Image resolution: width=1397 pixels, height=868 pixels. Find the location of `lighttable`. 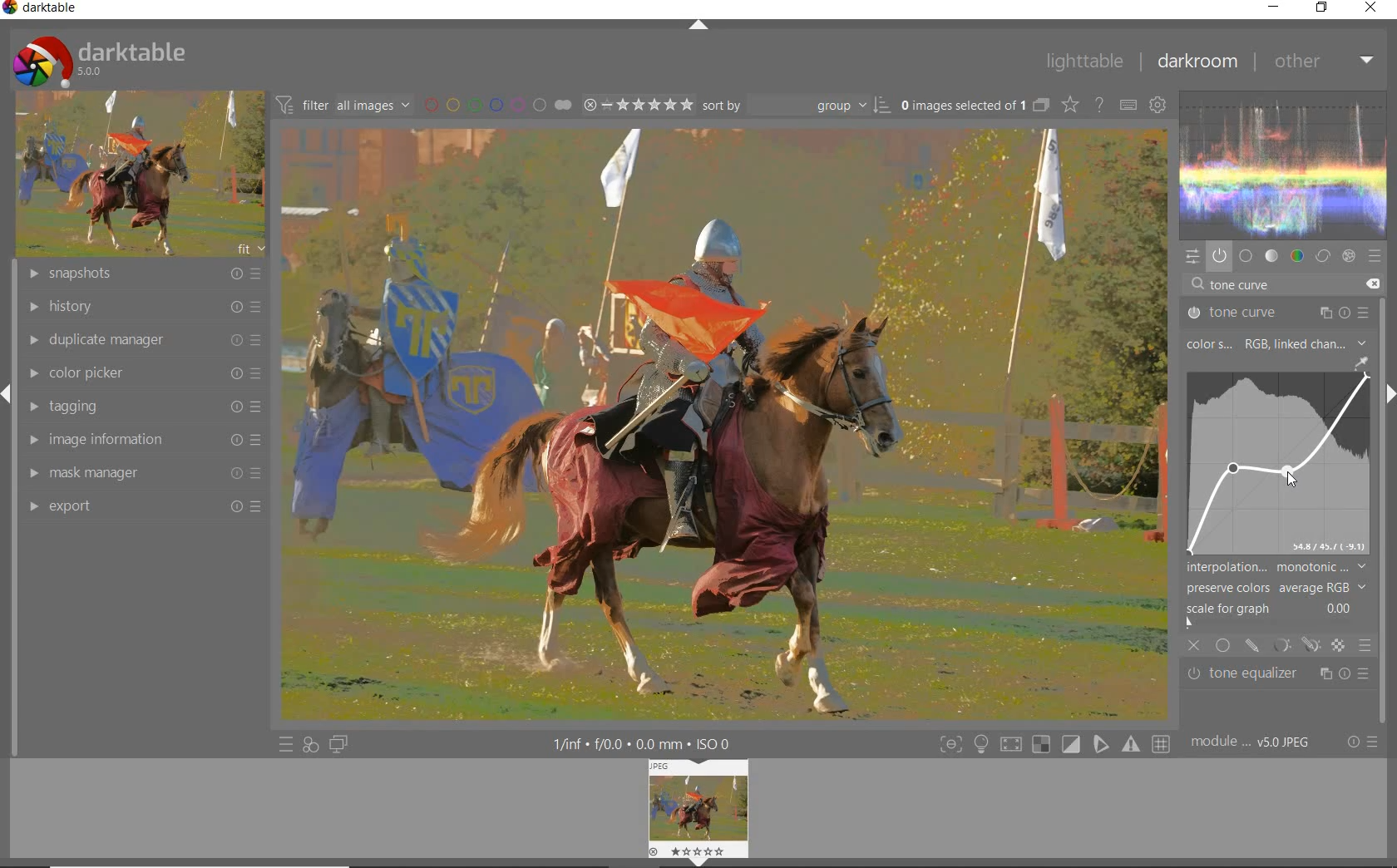

lighttable is located at coordinates (1084, 62).